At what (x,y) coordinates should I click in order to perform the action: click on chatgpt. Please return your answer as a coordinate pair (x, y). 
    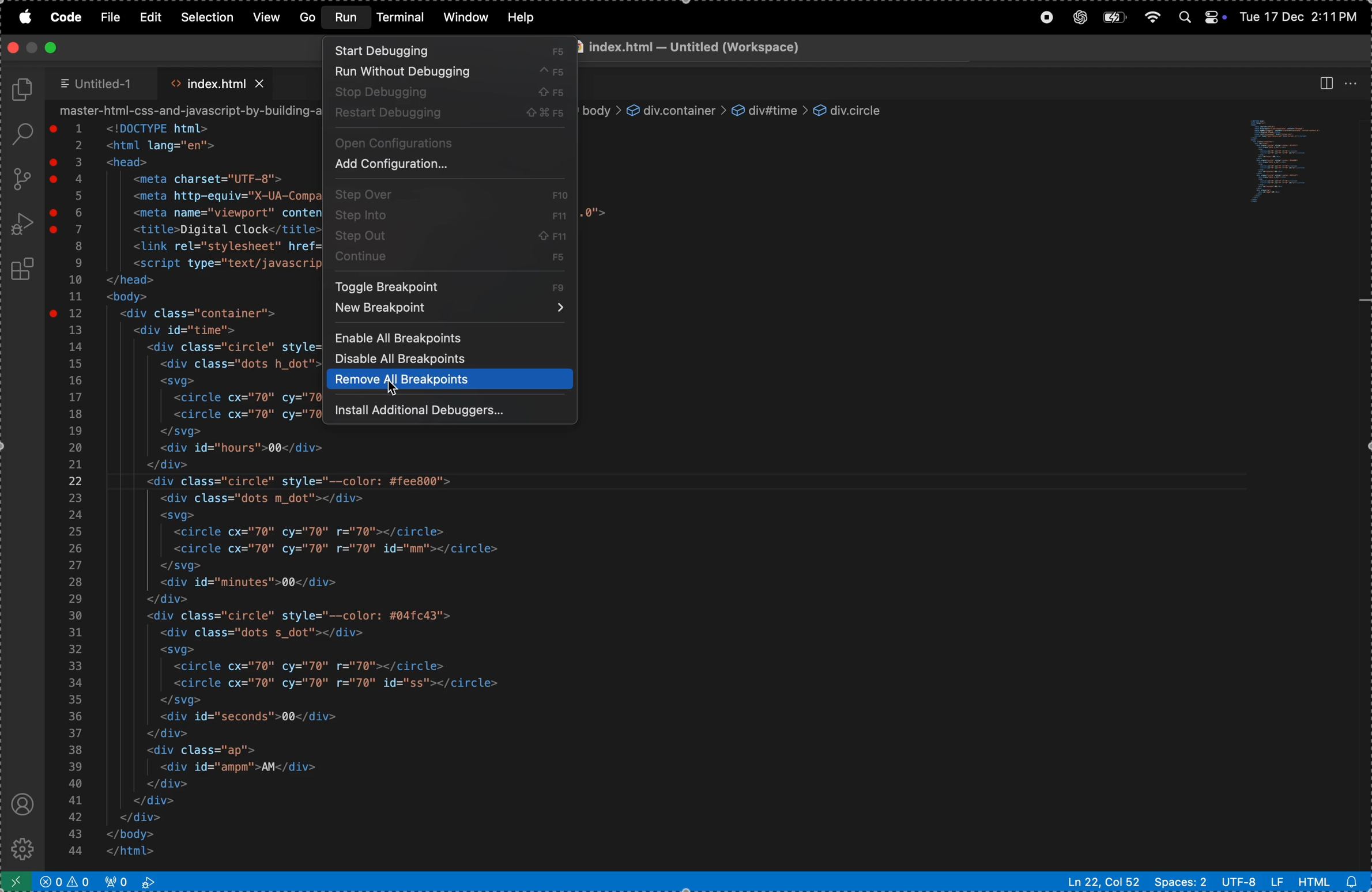
    Looking at the image, I should click on (1076, 17).